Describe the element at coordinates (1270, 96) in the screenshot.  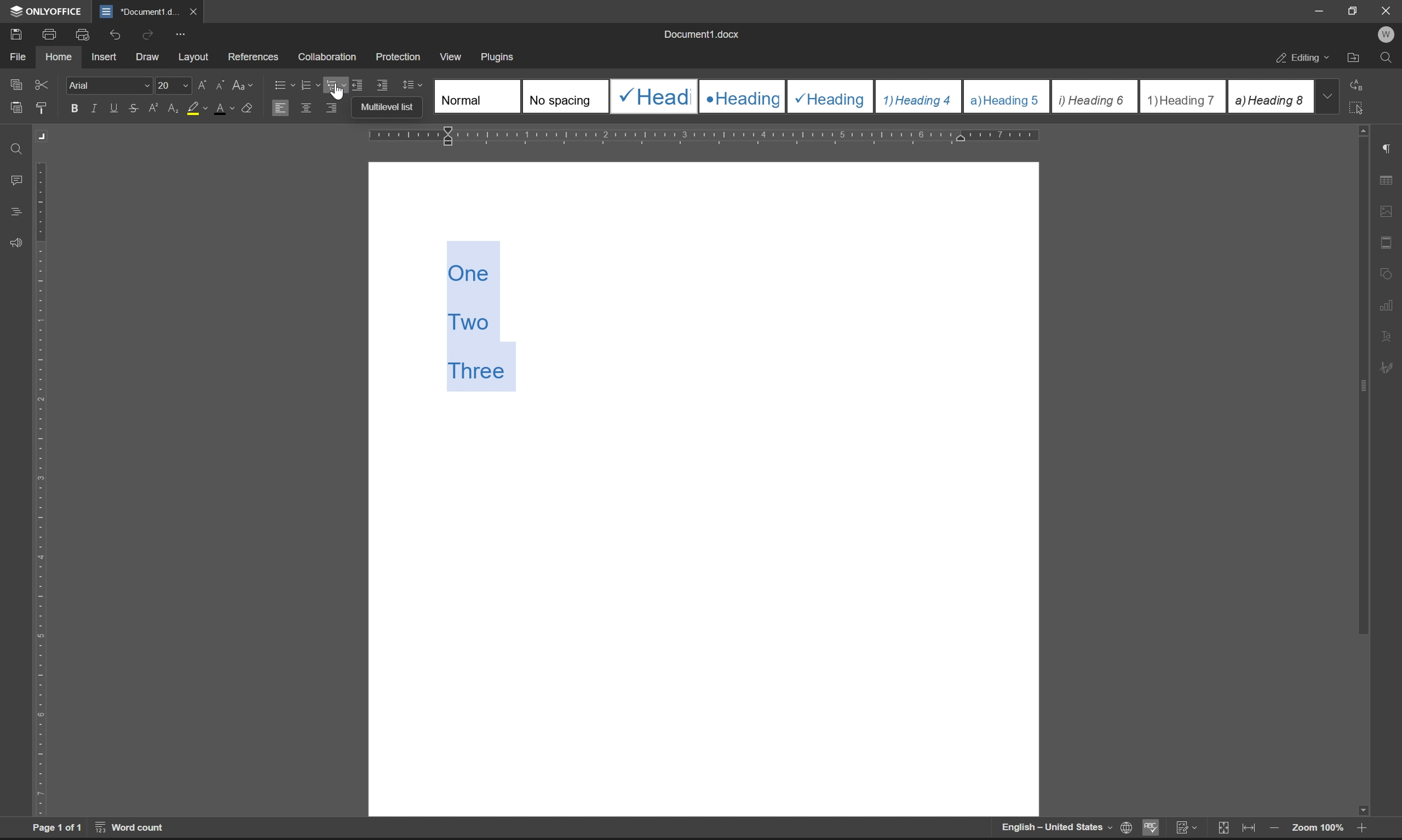
I see `Heading 8` at that location.